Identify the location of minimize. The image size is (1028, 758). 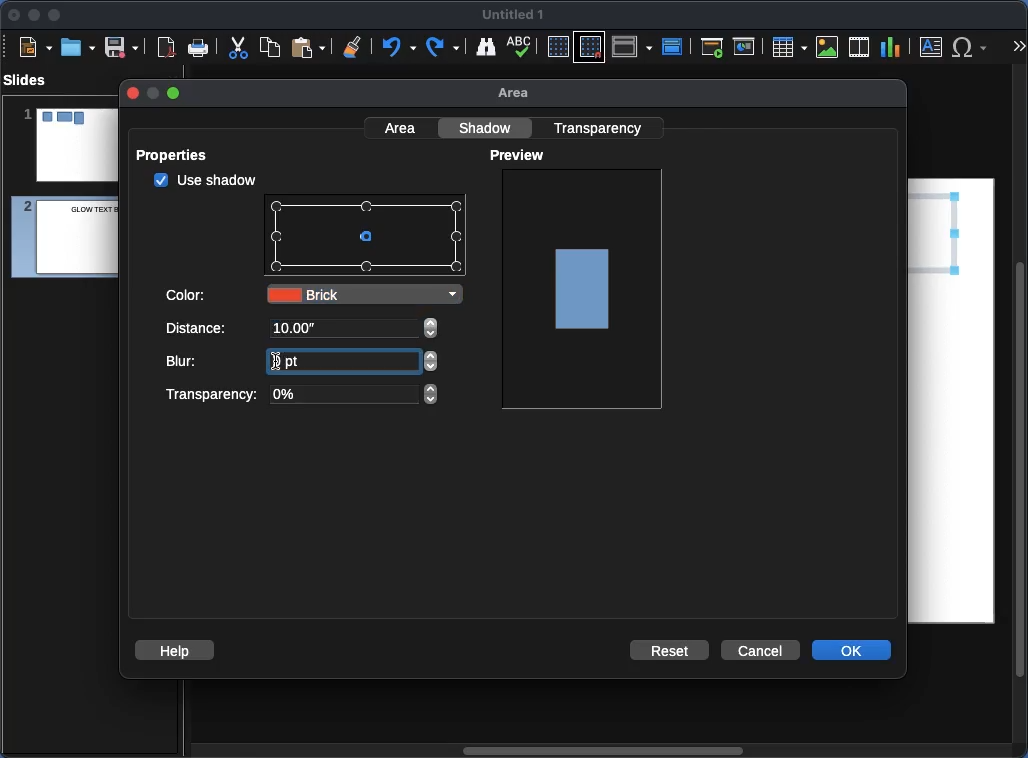
(151, 93).